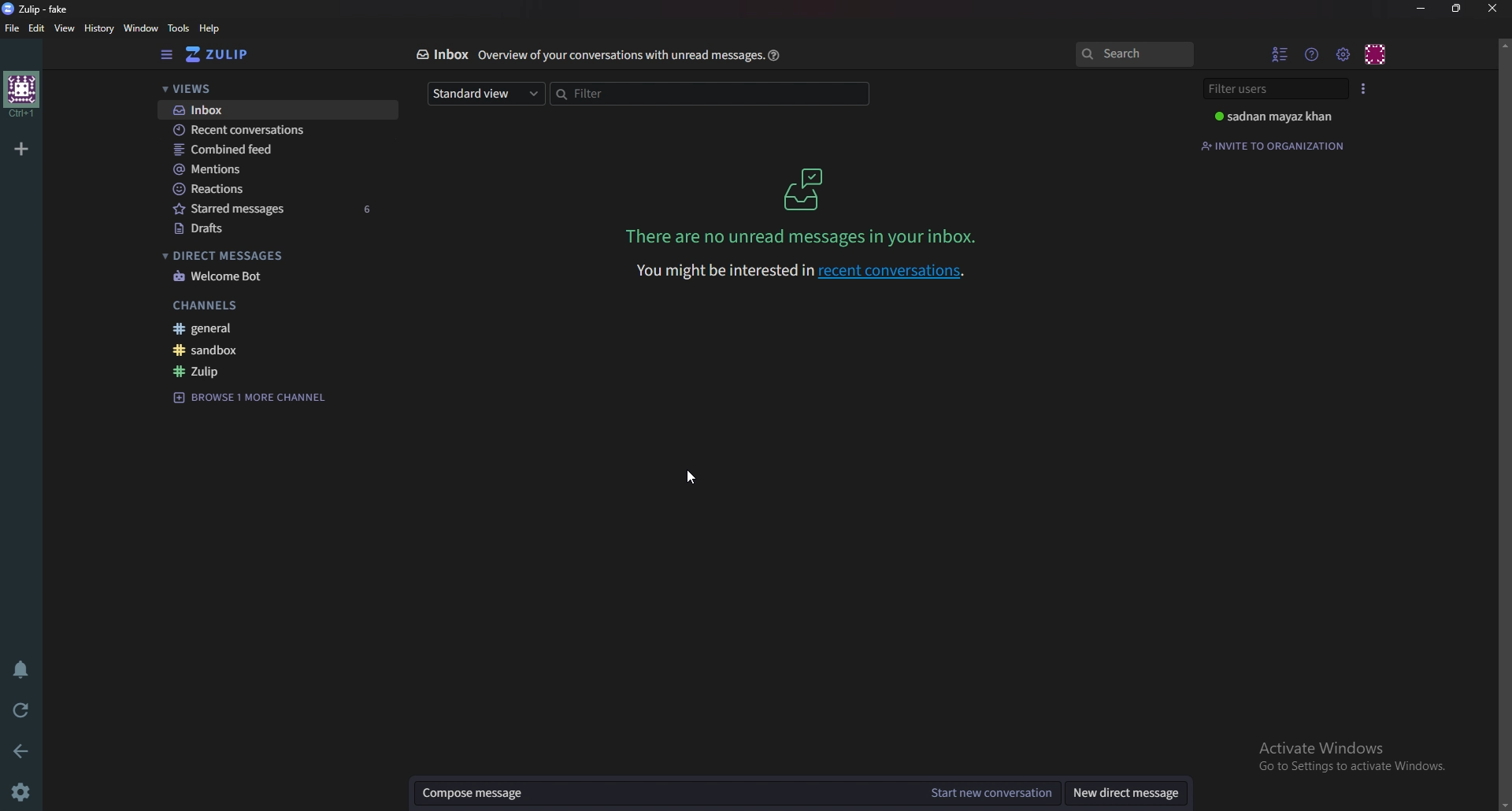 The width and height of the screenshot is (1512, 811). I want to click on Tools, so click(180, 28).